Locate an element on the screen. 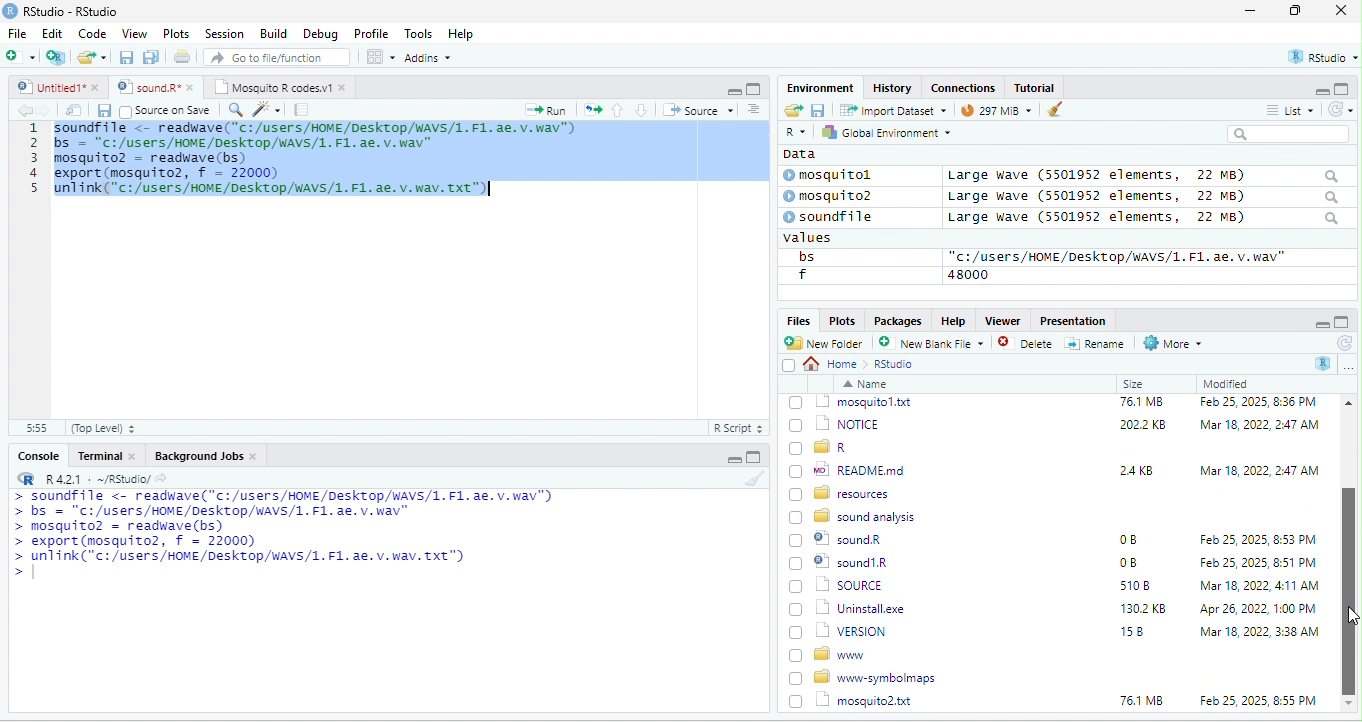 Image resolution: width=1362 pixels, height=722 pixels. 48000 is located at coordinates (969, 274).